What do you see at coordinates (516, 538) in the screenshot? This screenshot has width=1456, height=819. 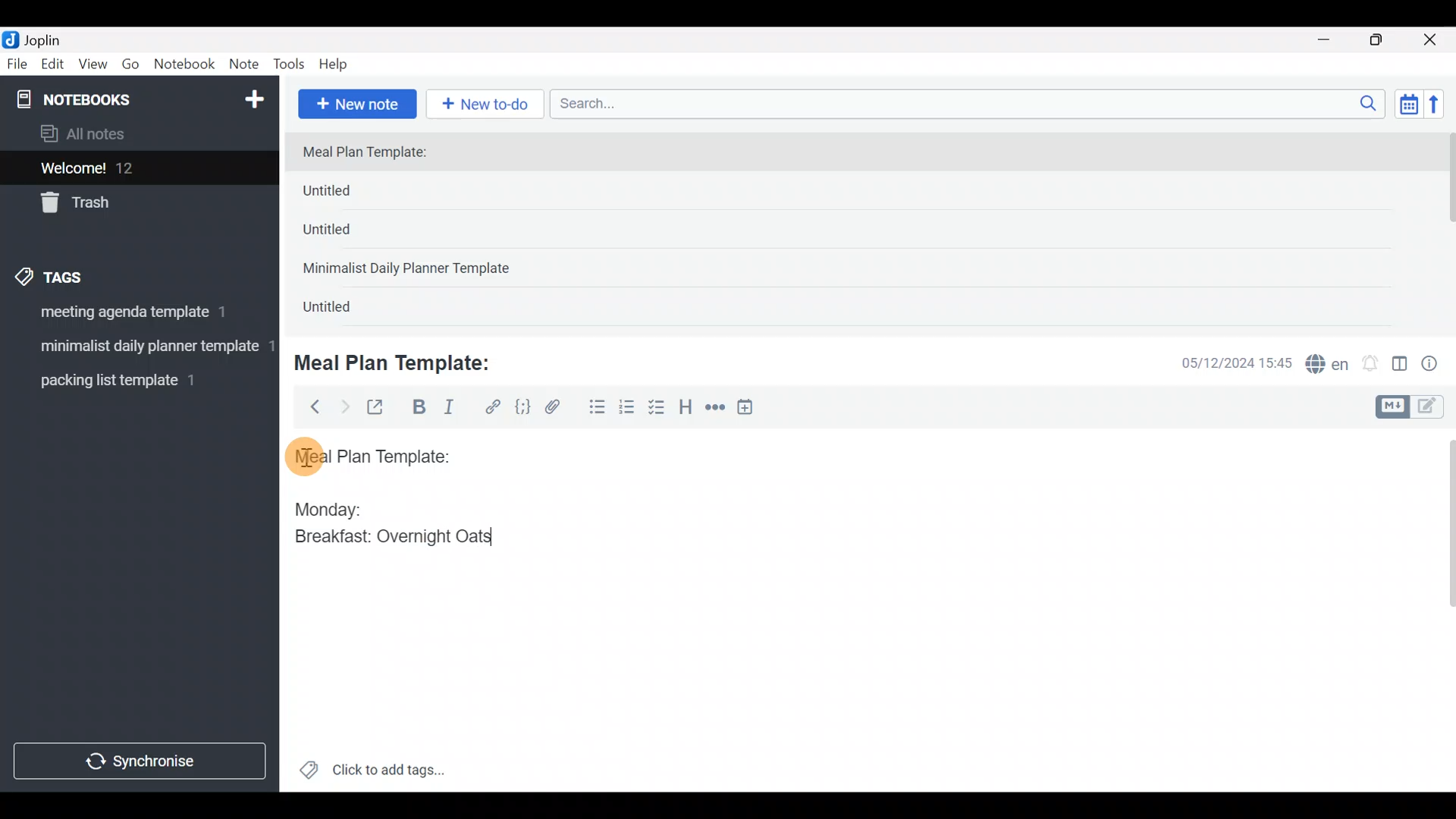 I see `text Cursor` at bounding box center [516, 538].